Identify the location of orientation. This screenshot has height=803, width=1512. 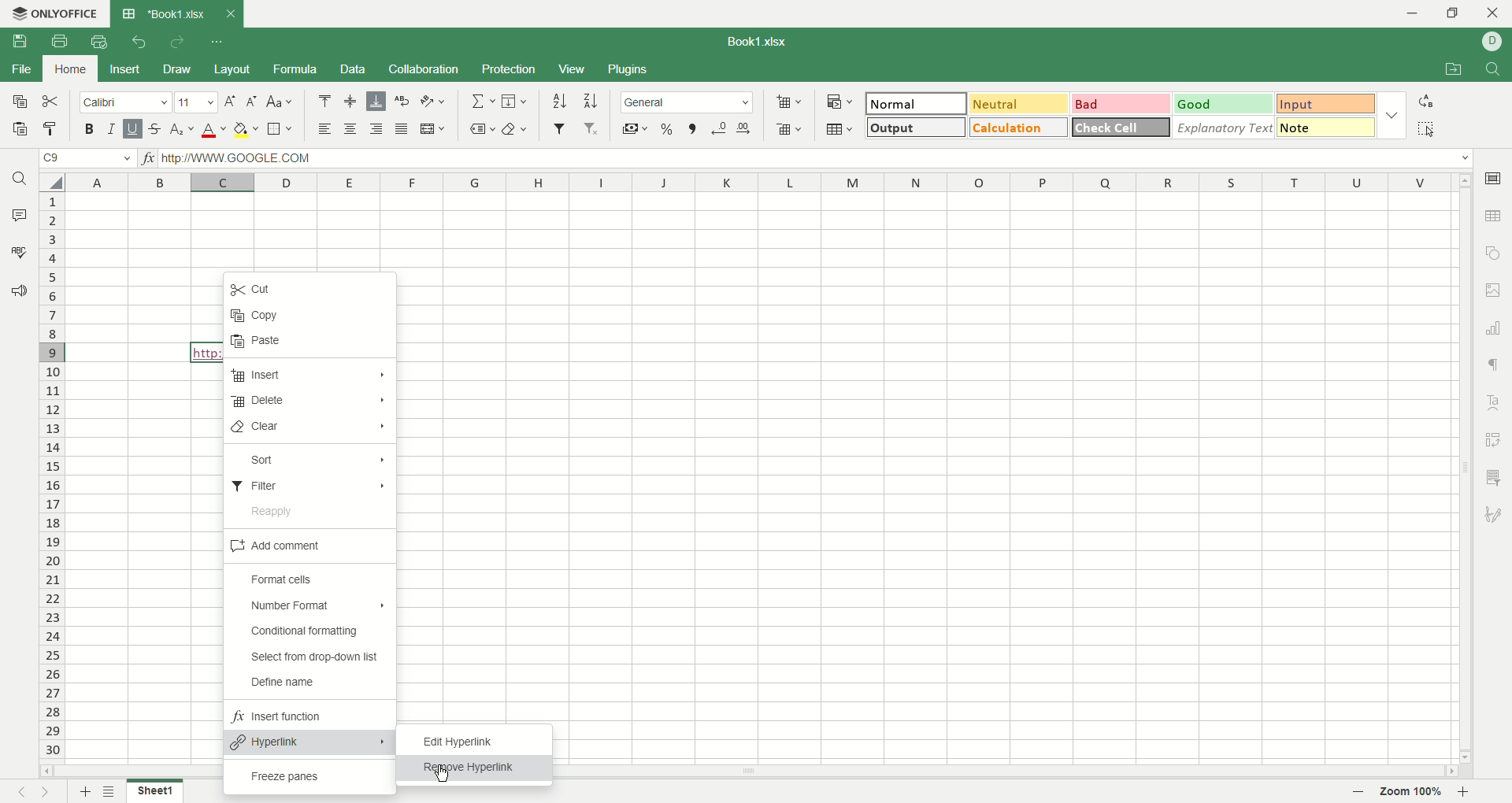
(431, 101).